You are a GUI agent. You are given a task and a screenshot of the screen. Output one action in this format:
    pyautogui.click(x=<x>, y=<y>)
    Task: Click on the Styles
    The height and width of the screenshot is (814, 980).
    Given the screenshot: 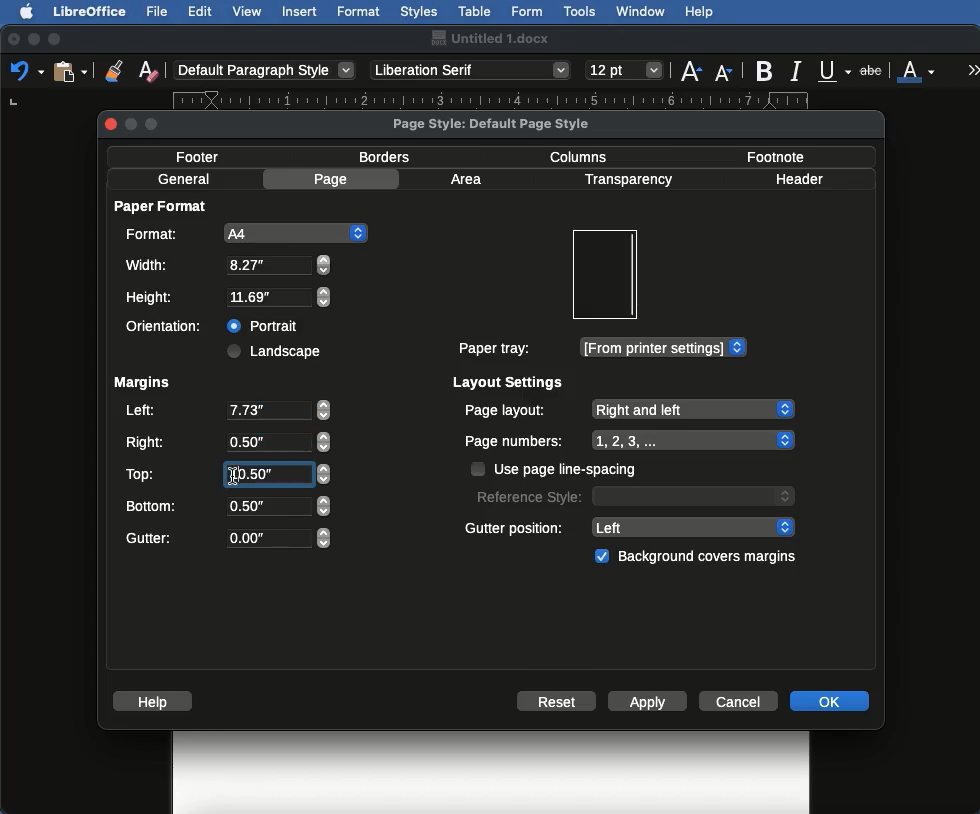 What is the action you would take?
    pyautogui.click(x=418, y=11)
    